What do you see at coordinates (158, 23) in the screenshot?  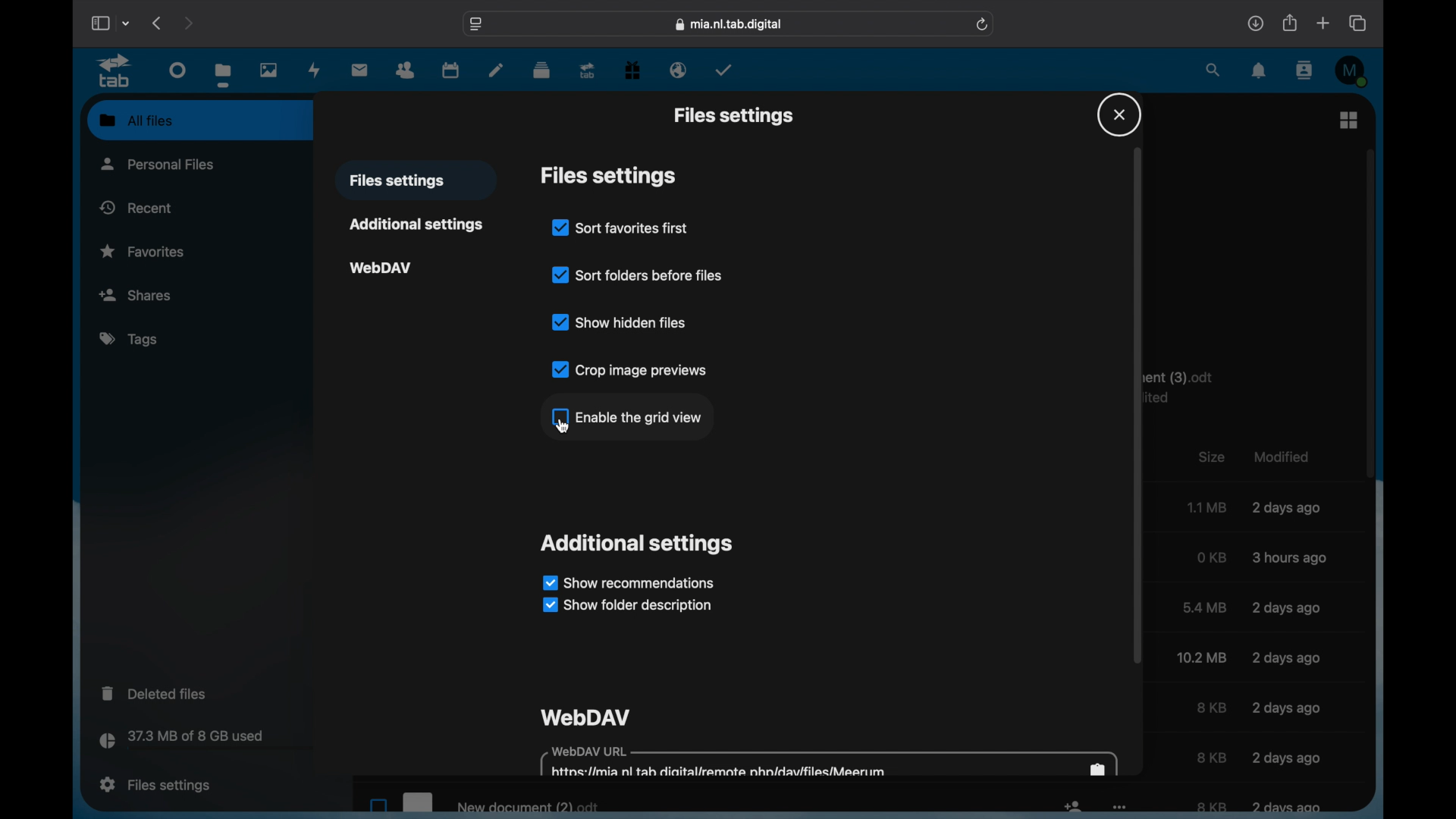 I see `previous` at bounding box center [158, 23].